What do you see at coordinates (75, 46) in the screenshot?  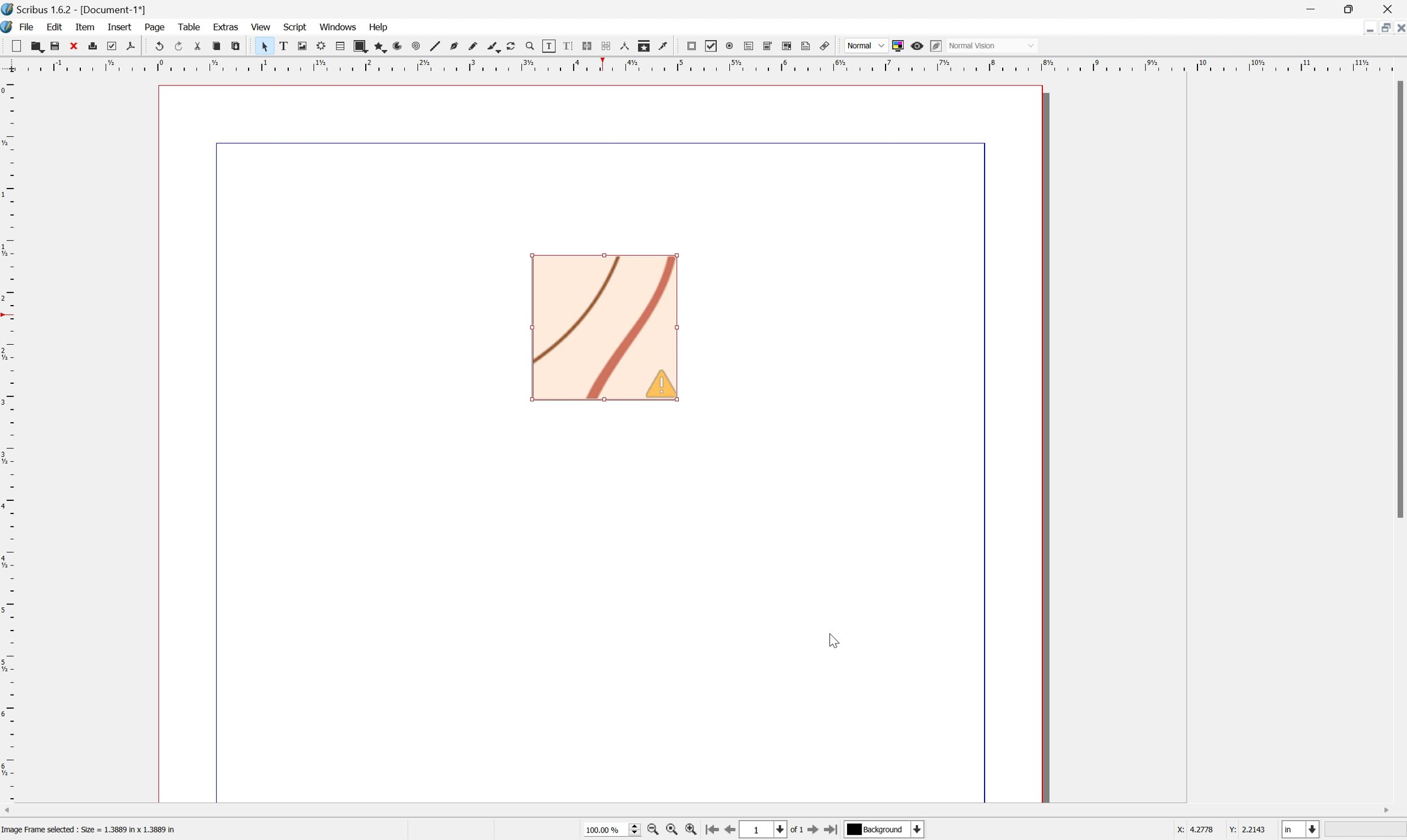 I see `Close` at bounding box center [75, 46].